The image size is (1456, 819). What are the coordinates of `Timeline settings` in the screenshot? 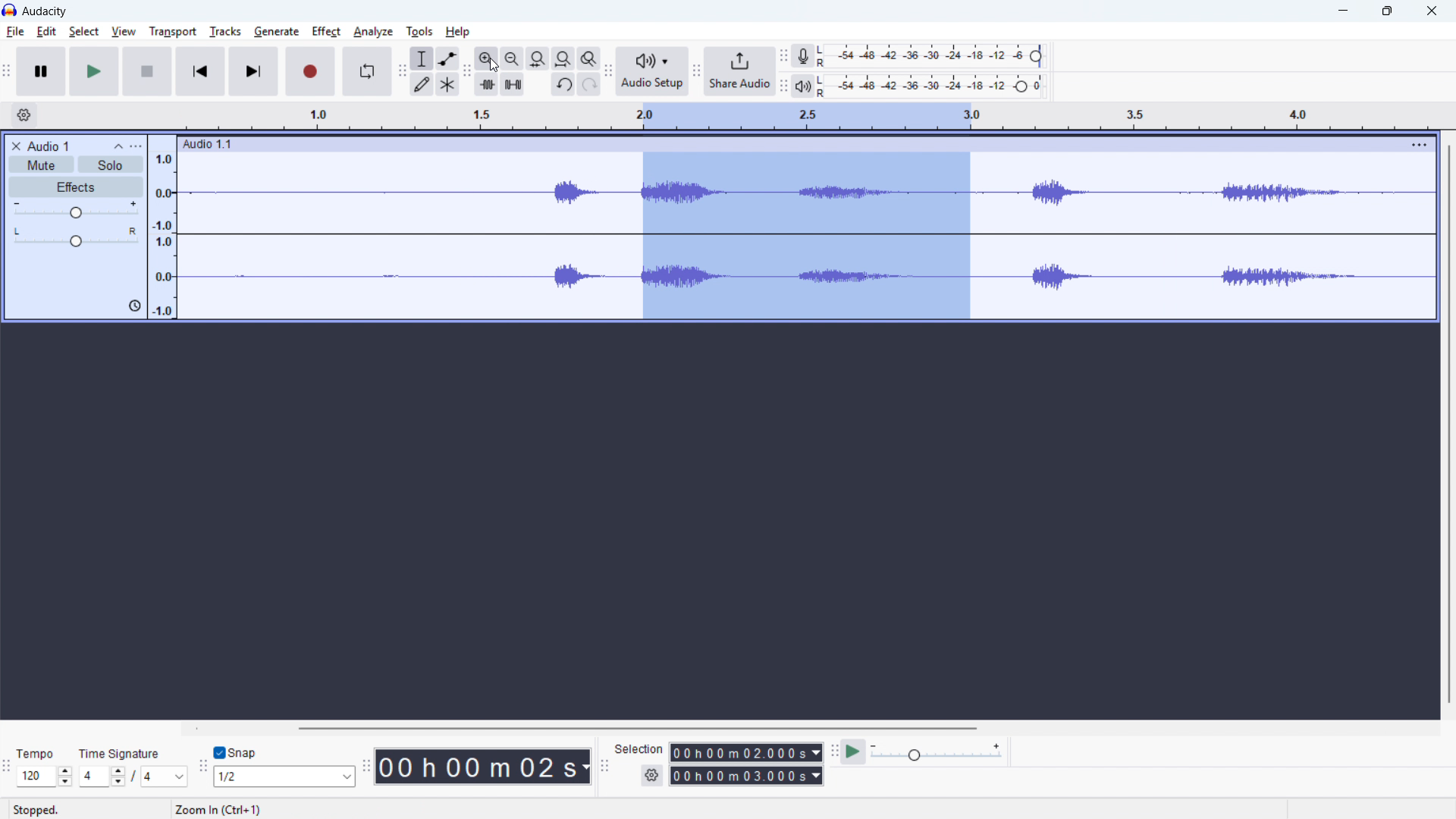 It's located at (24, 116).